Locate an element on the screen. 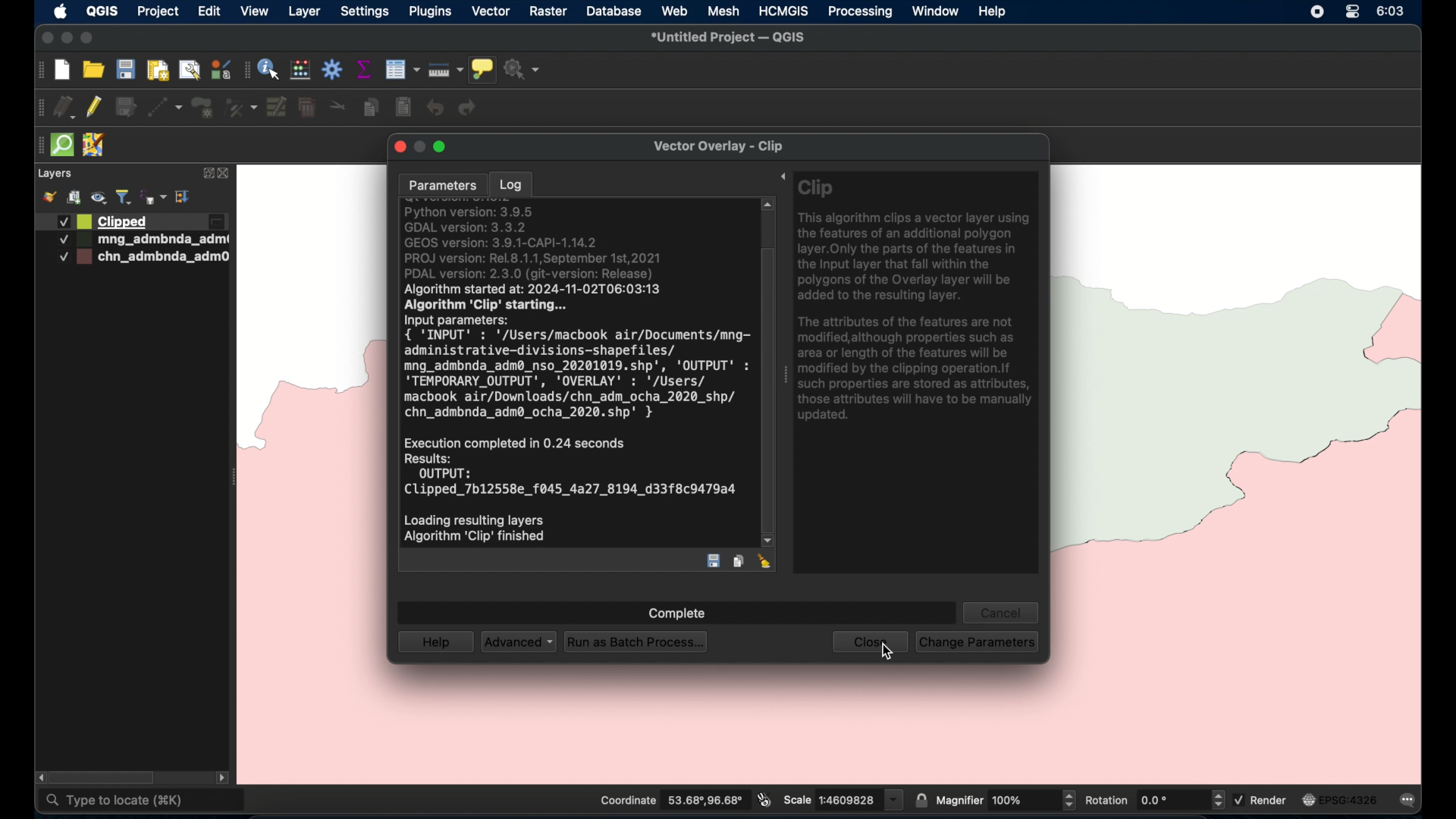 The image size is (1456, 819). raster is located at coordinates (547, 12).